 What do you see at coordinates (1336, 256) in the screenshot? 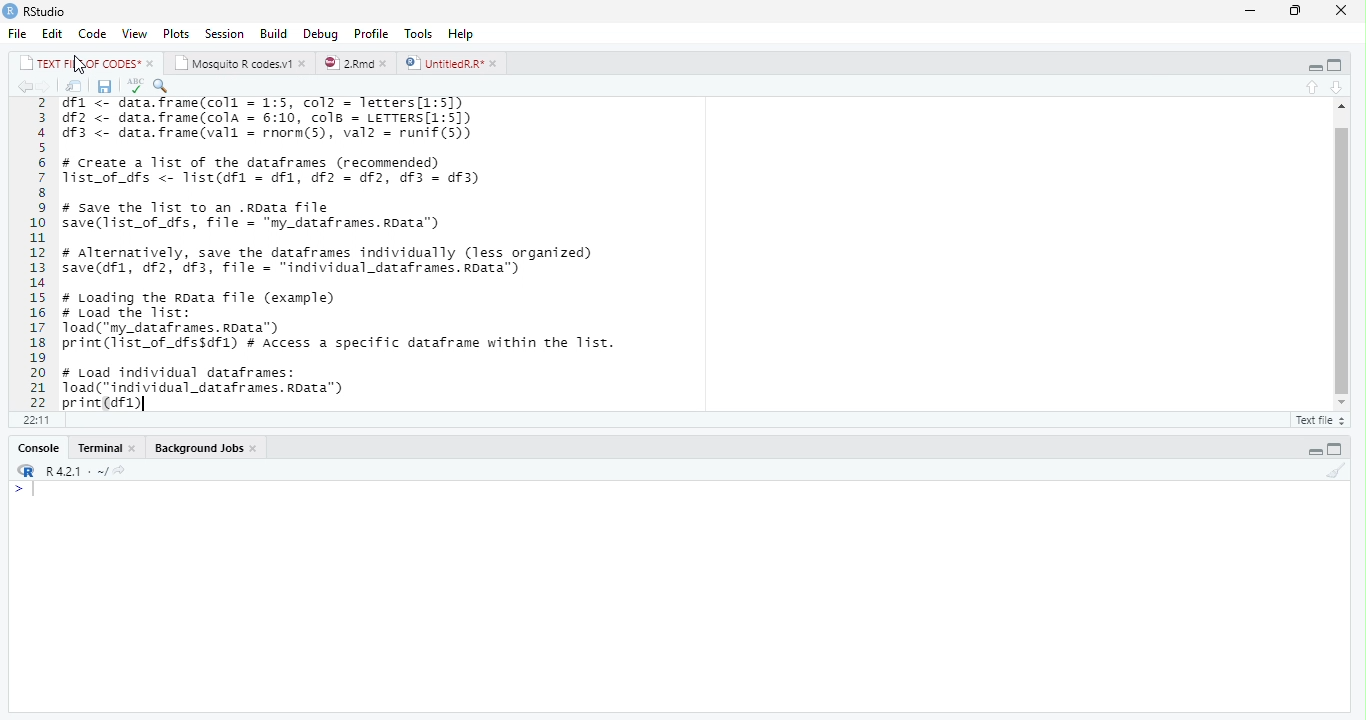
I see `vertical scroll bar` at bounding box center [1336, 256].